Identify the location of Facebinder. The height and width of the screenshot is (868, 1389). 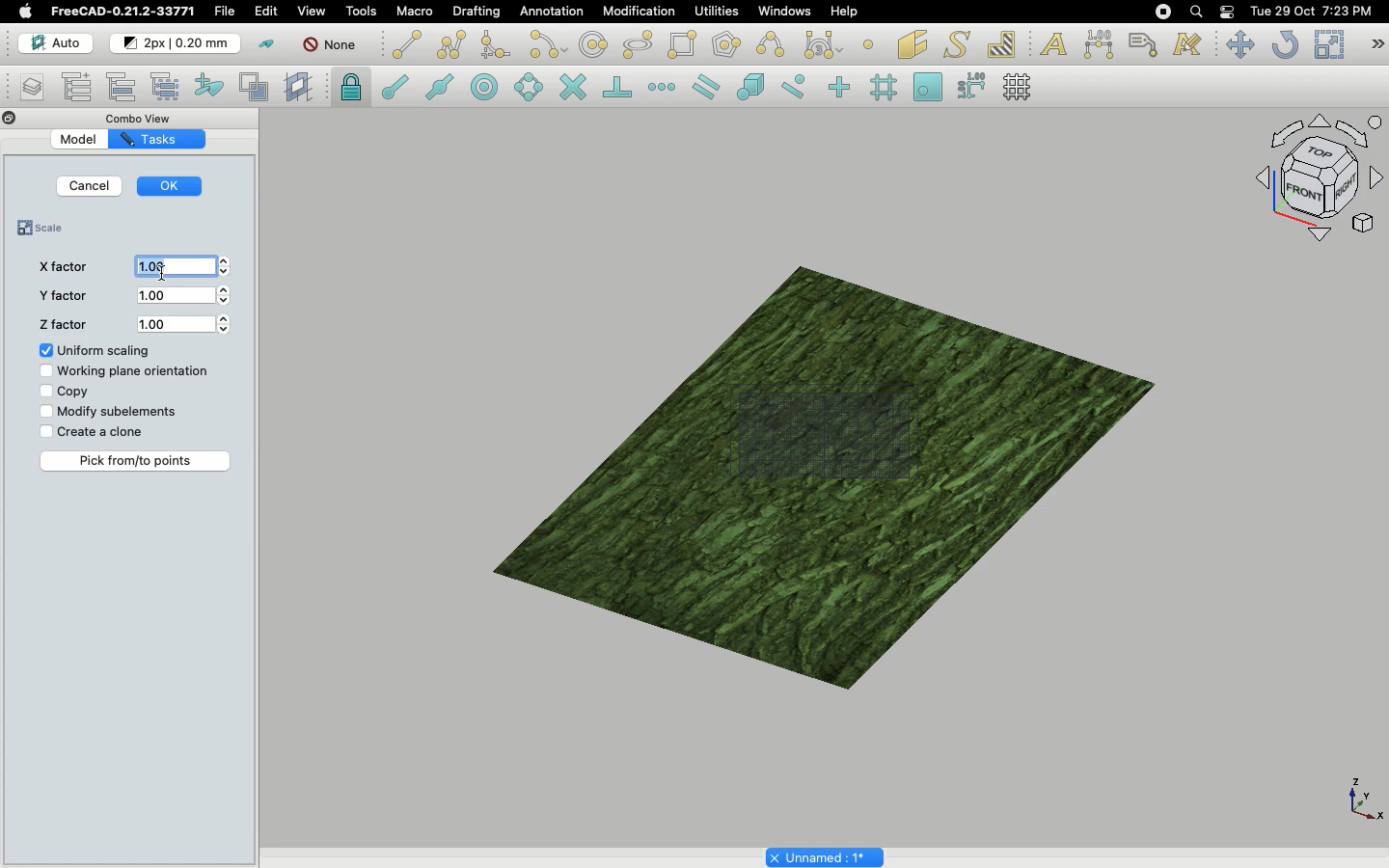
(912, 43).